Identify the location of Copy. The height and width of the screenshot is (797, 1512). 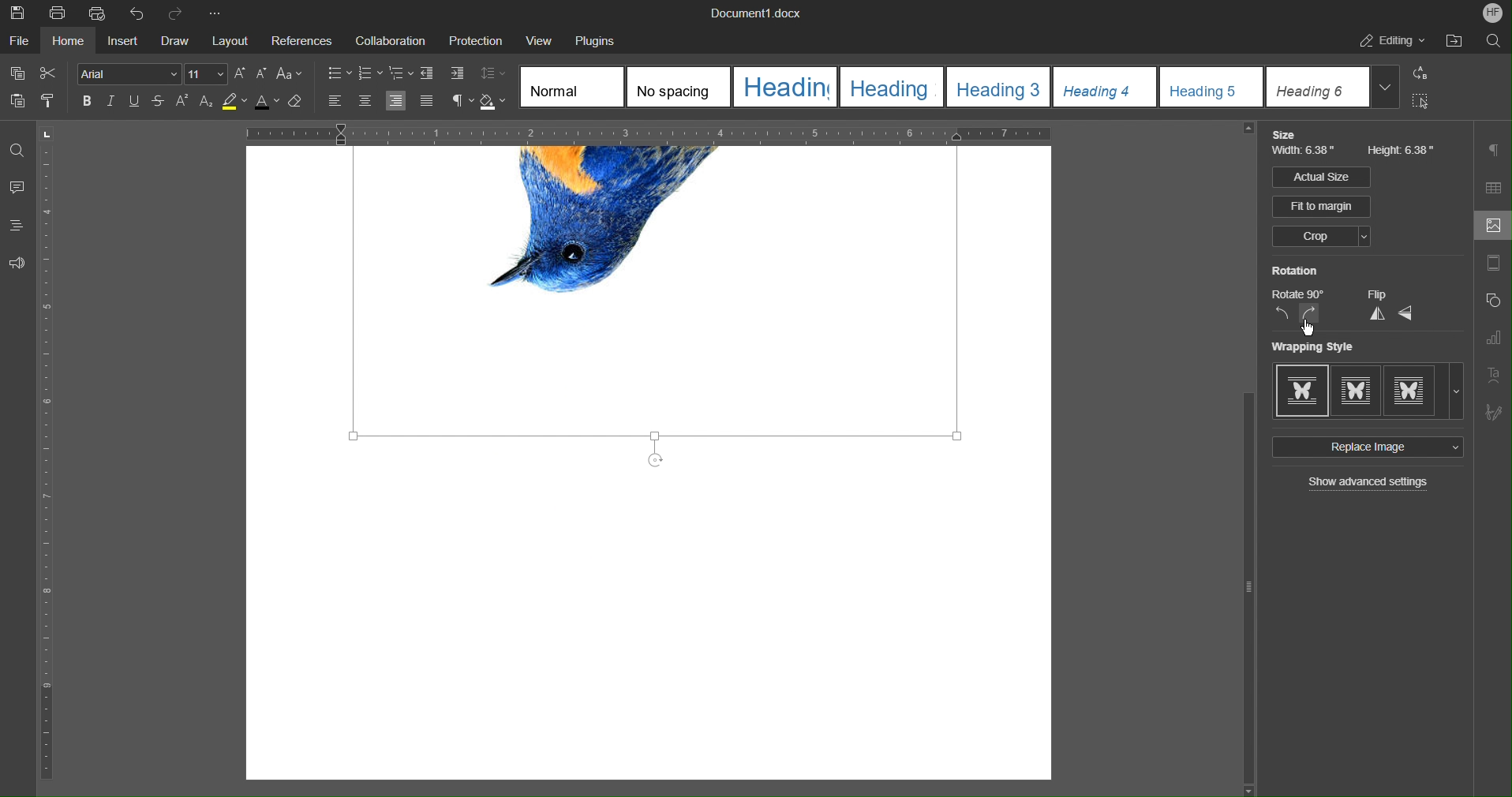
(16, 73).